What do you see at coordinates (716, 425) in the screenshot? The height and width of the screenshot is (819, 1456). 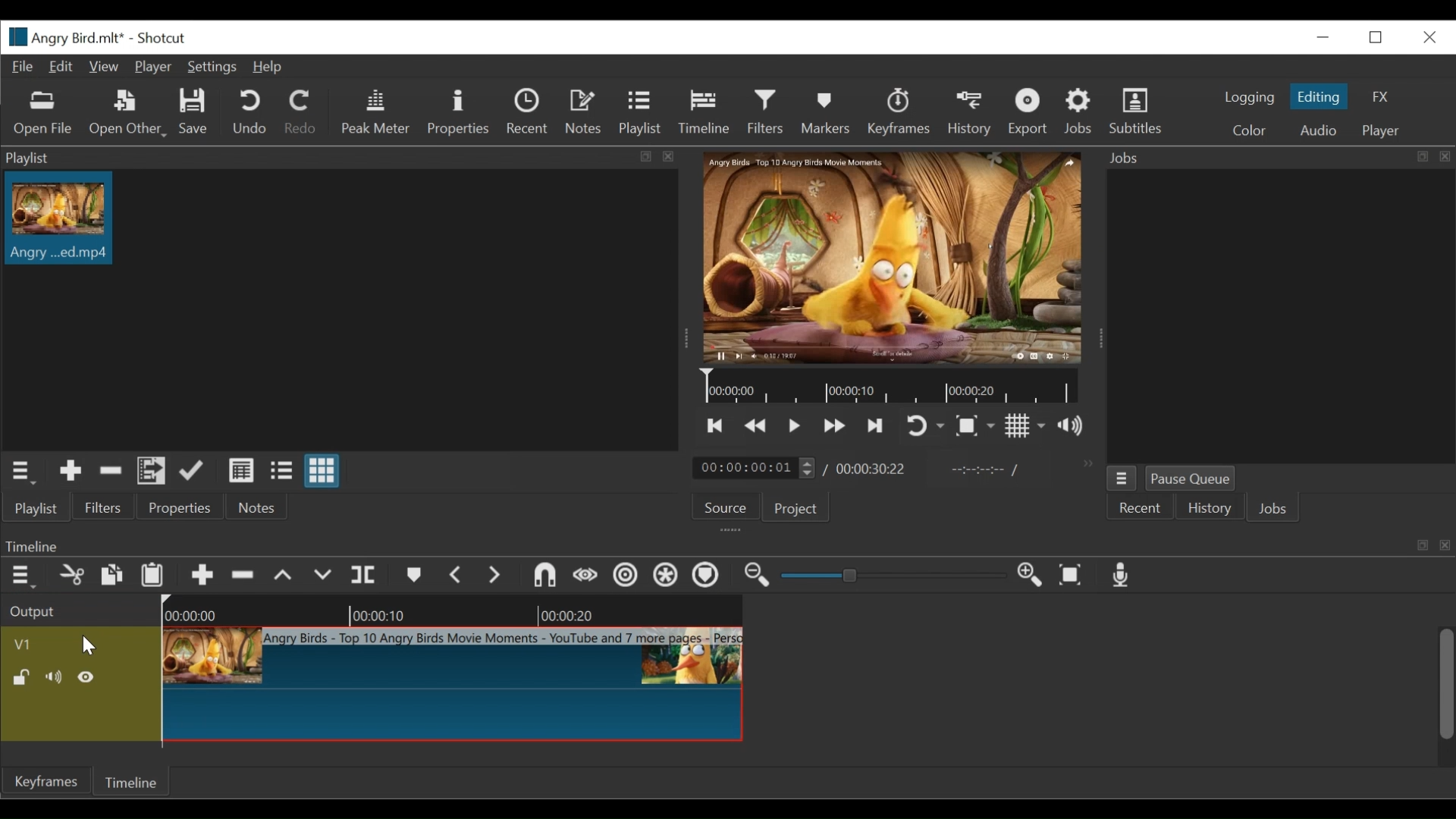 I see `Skip to the previous point` at bounding box center [716, 425].